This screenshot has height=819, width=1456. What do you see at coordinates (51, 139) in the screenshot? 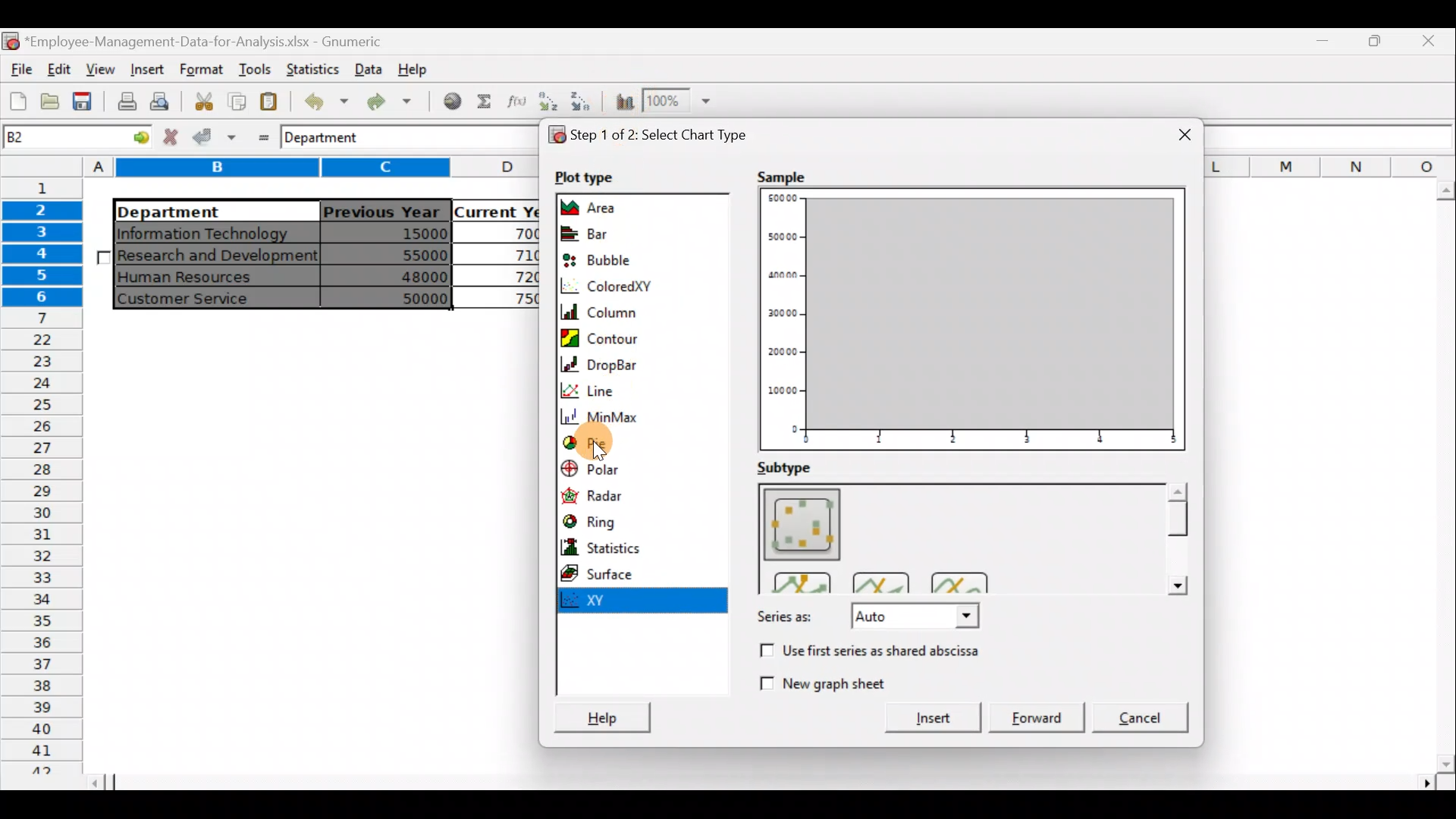
I see `Cell name B2` at bounding box center [51, 139].